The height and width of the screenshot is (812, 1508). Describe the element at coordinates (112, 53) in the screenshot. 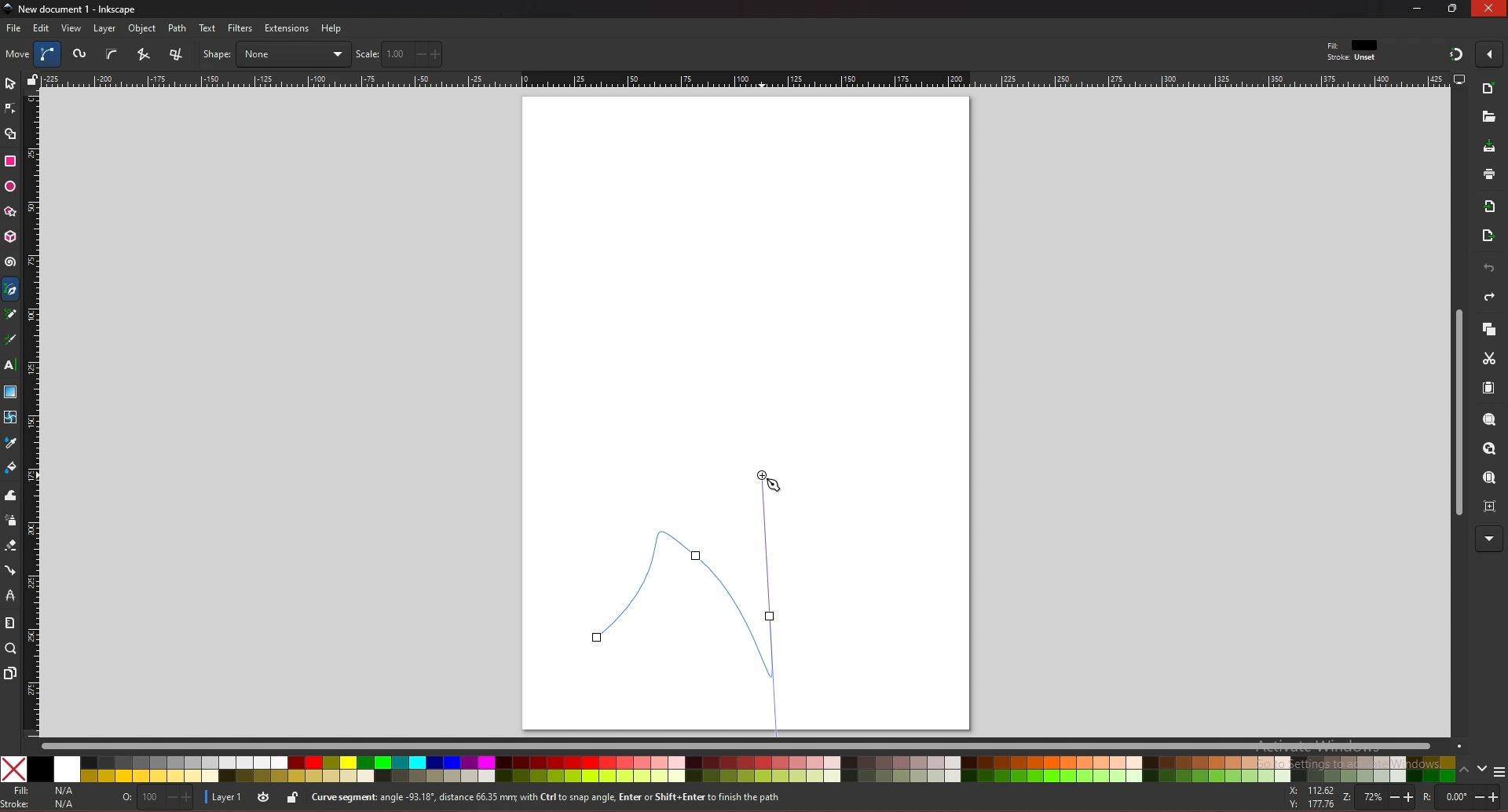

I see `b spline path` at that location.